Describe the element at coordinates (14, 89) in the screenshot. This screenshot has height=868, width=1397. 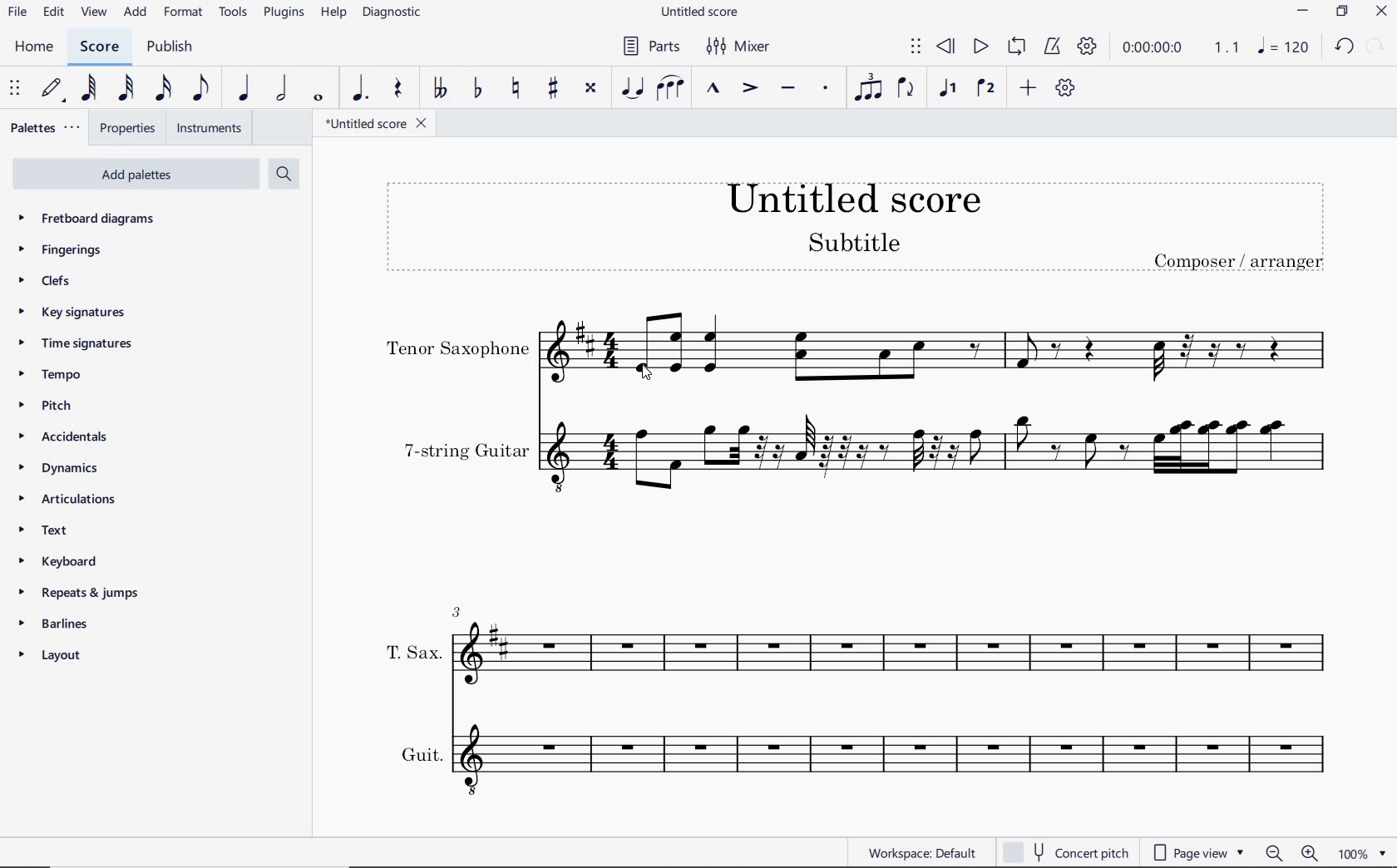
I see `SELECET TO MOVE` at that location.